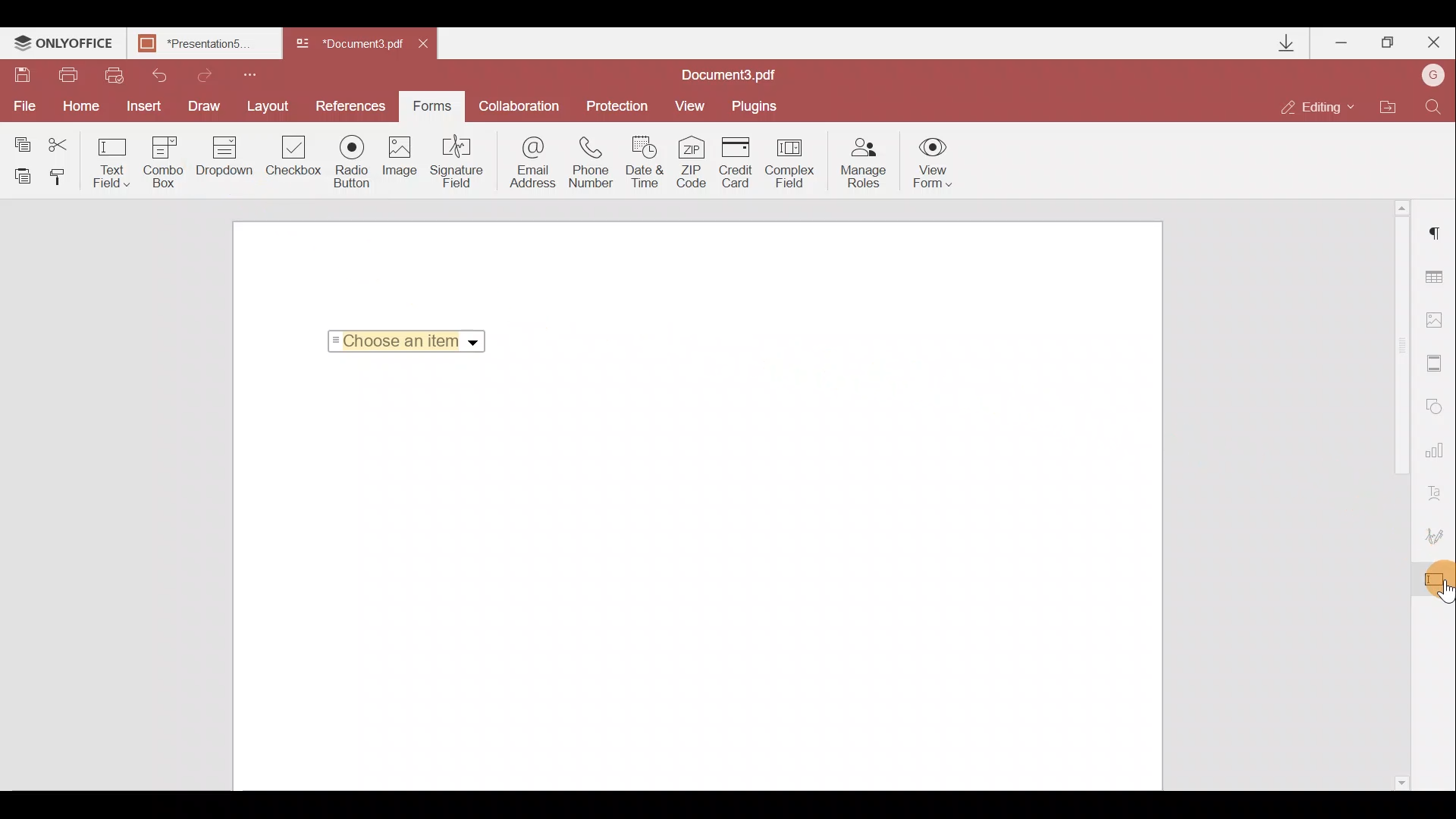 This screenshot has height=819, width=1456. Describe the element at coordinates (1439, 408) in the screenshot. I see `Shapes settings` at that location.